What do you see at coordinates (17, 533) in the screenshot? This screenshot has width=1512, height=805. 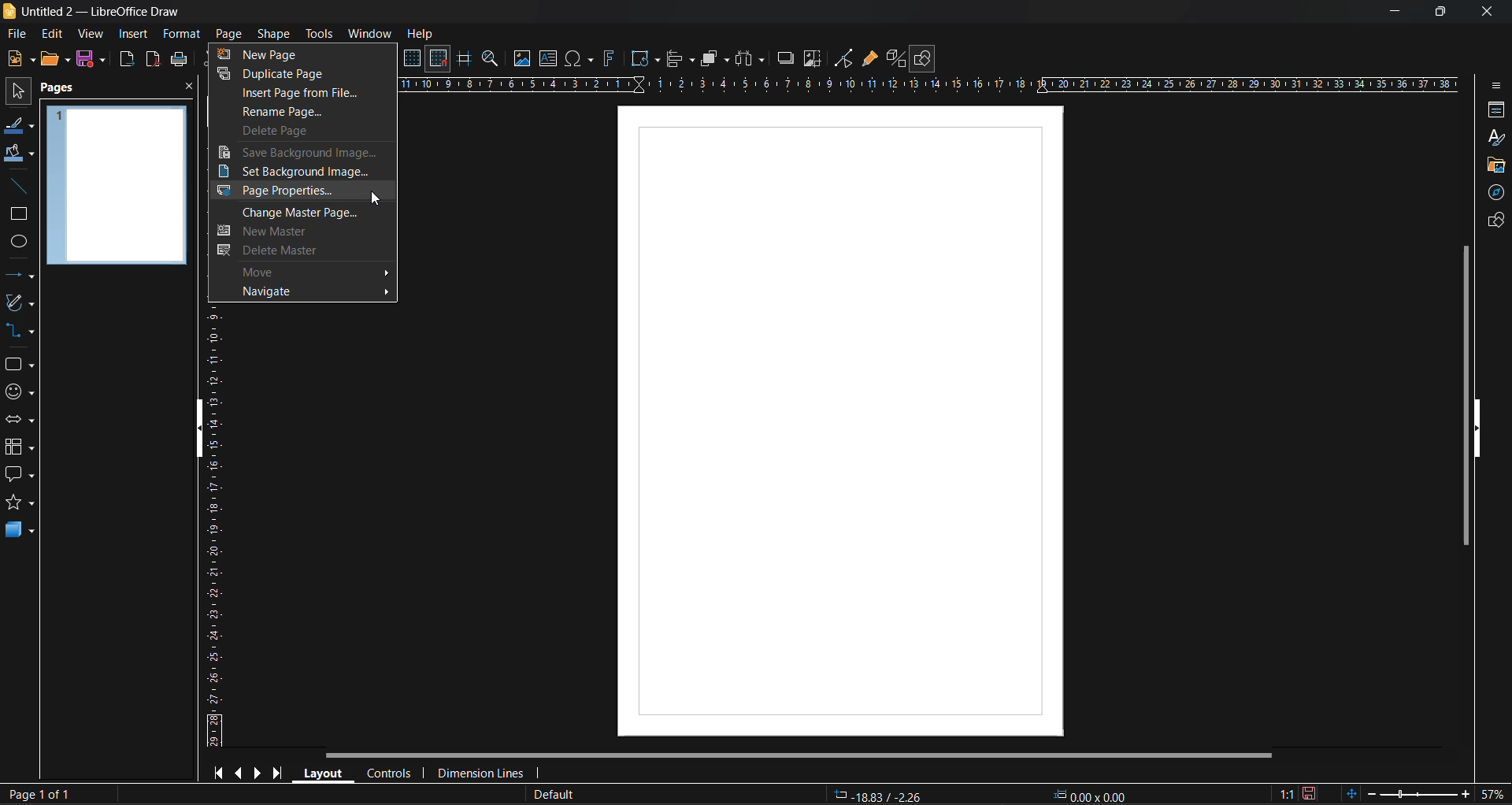 I see `3d objects` at bounding box center [17, 533].